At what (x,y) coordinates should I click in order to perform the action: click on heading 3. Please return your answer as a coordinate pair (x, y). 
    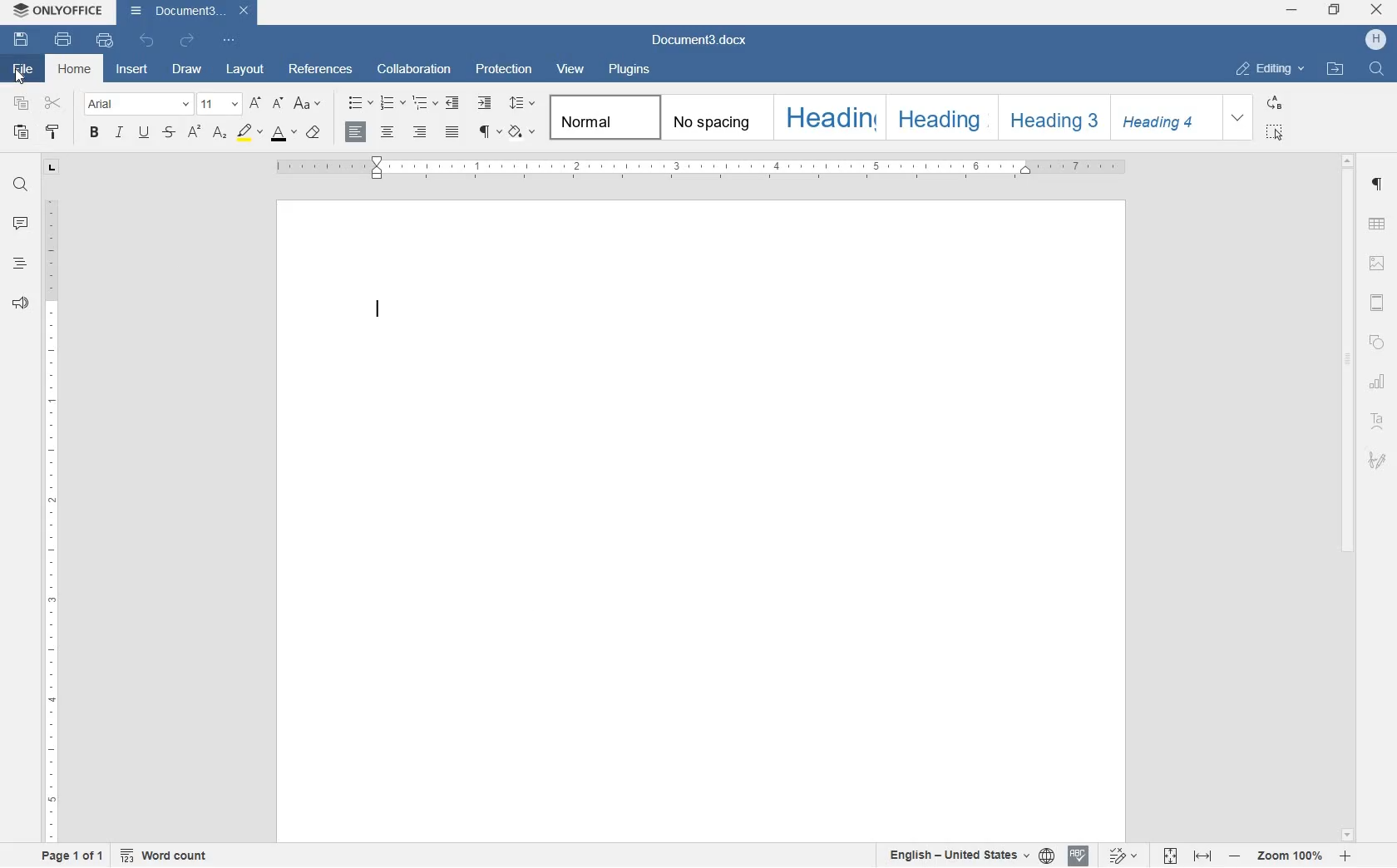
    Looking at the image, I should click on (1051, 116).